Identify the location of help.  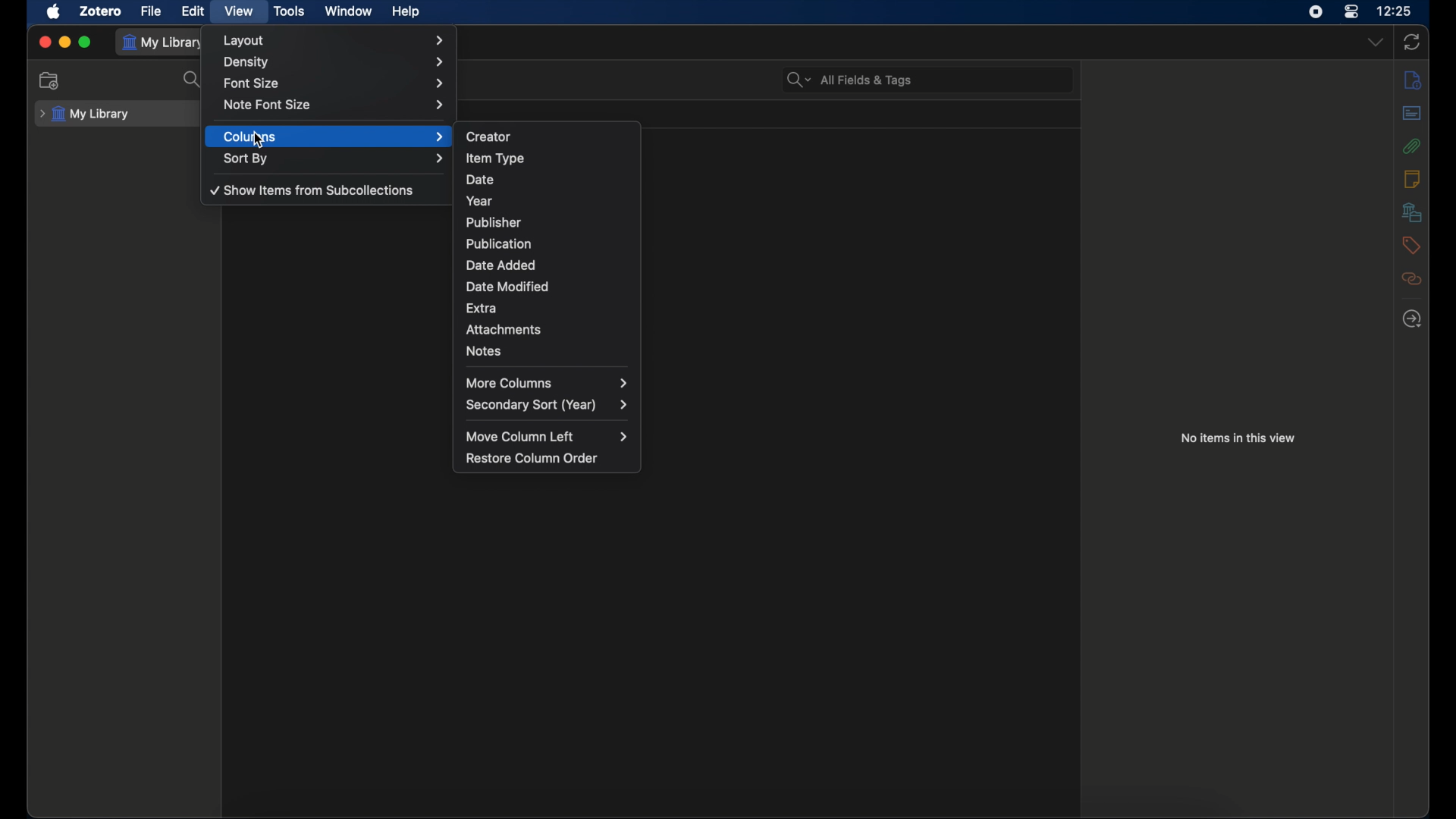
(405, 12).